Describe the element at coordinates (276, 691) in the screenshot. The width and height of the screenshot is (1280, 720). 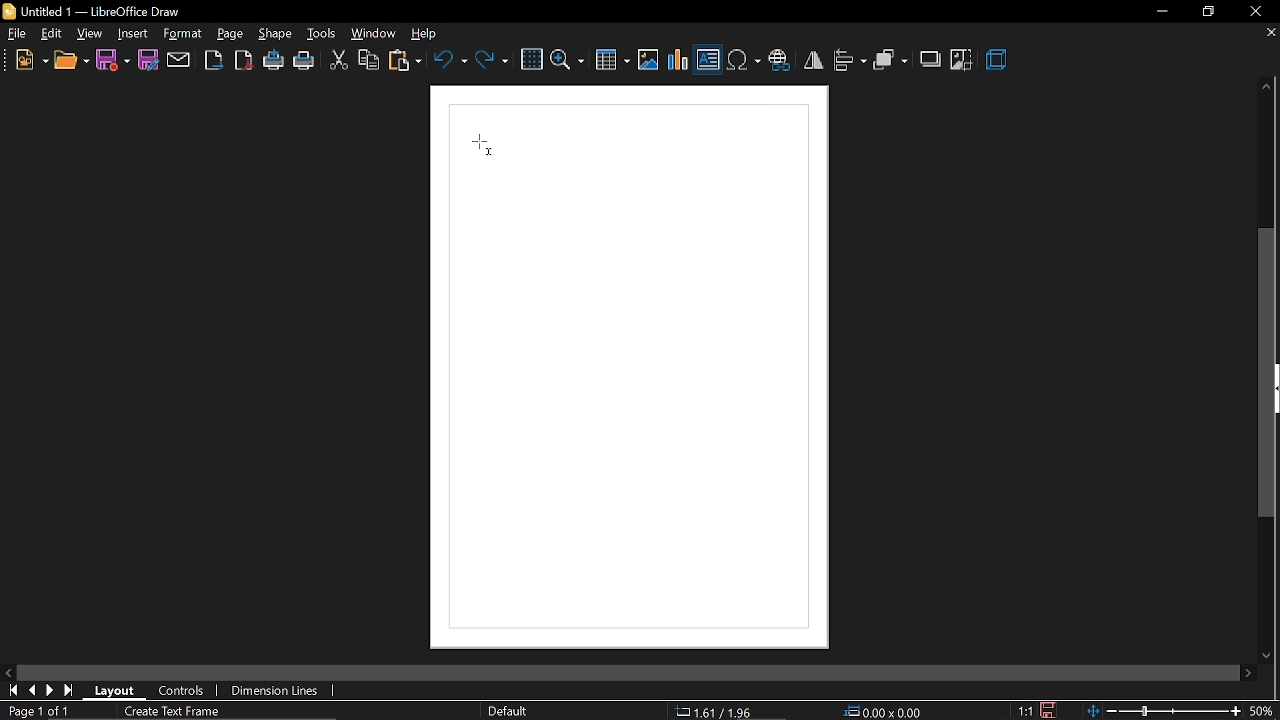
I see `dimension lines` at that location.